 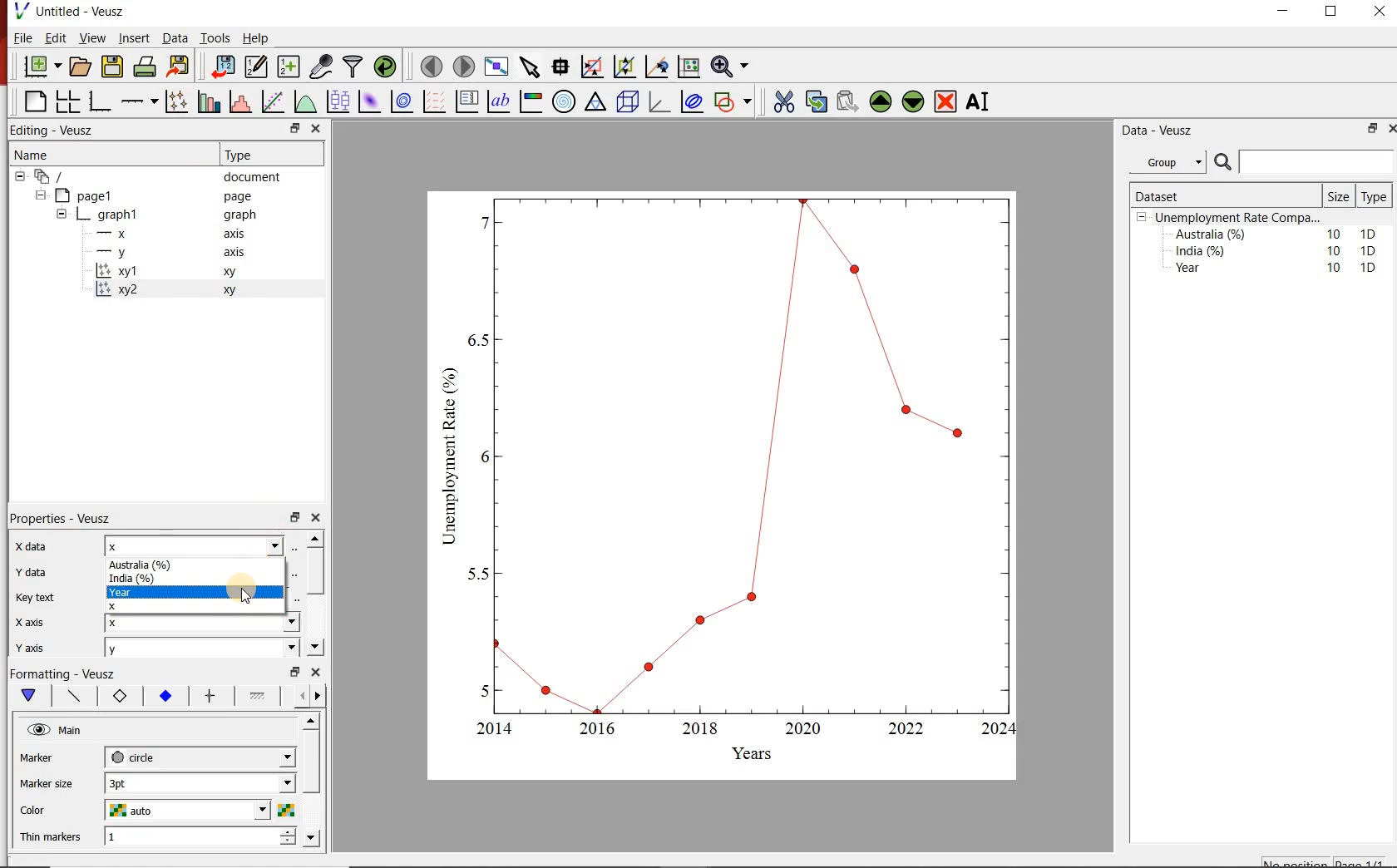 What do you see at coordinates (112, 66) in the screenshot?
I see `save document` at bounding box center [112, 66].